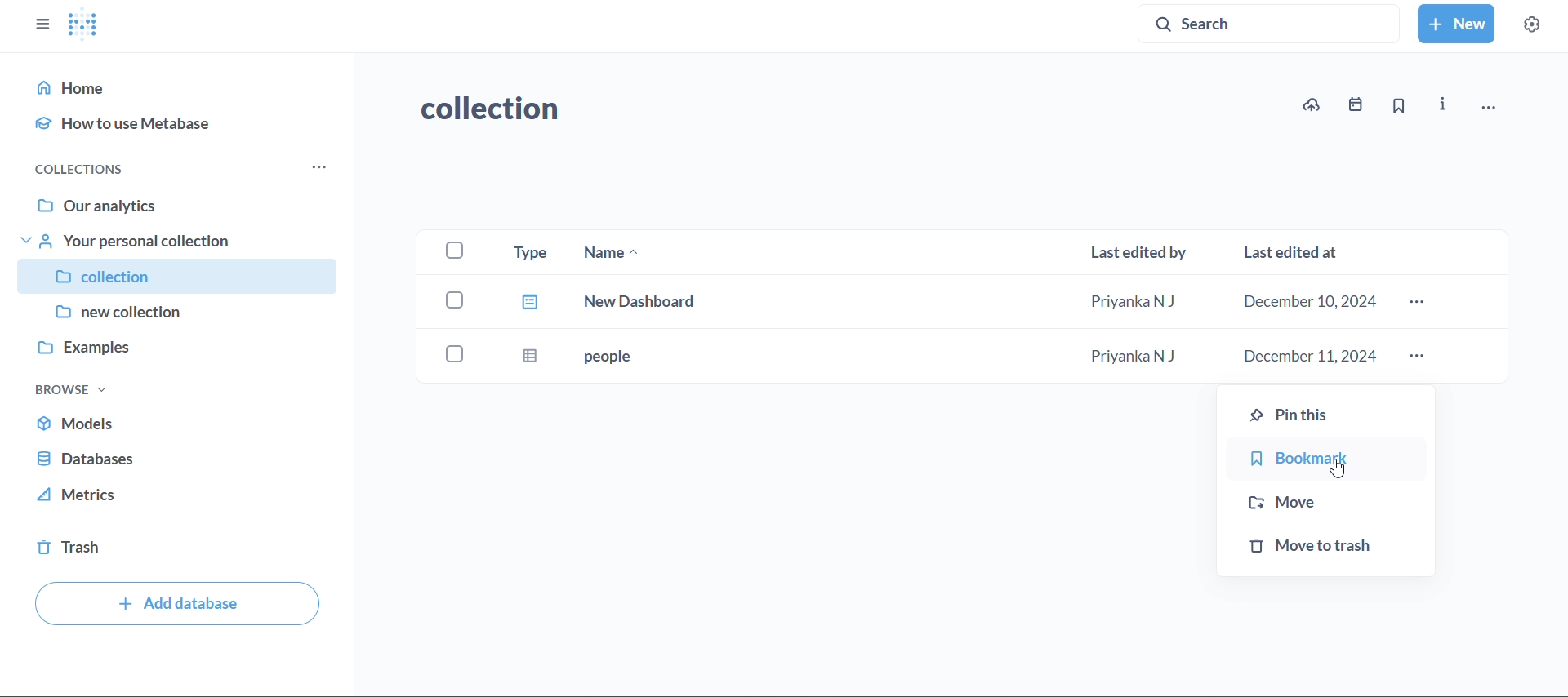  What do you see at coordinates (1138, 254) in the screenshot?
I see `last edited by` at bounding box center [1138, 254].